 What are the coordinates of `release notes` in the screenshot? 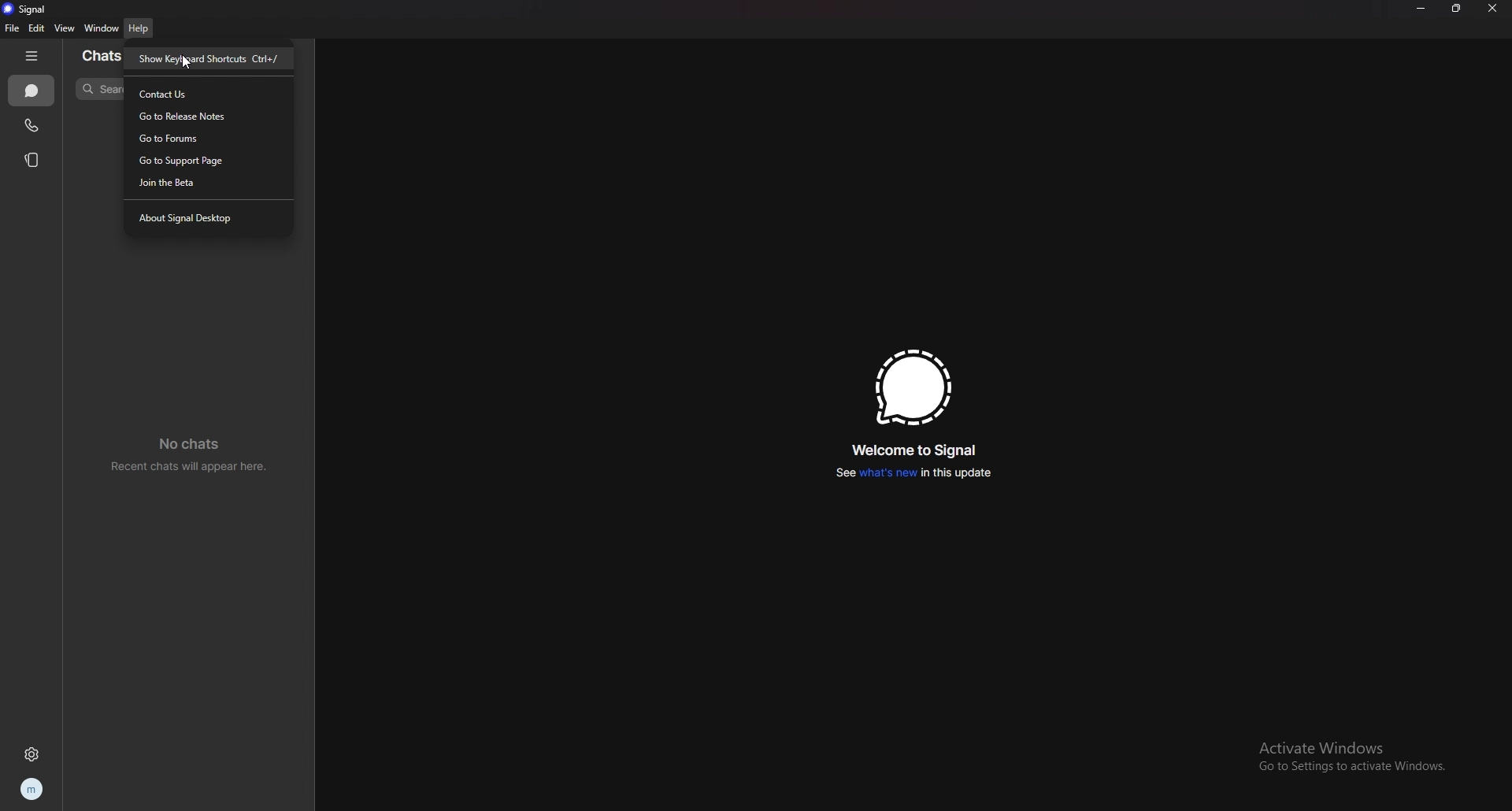 It's located at (205, 116).